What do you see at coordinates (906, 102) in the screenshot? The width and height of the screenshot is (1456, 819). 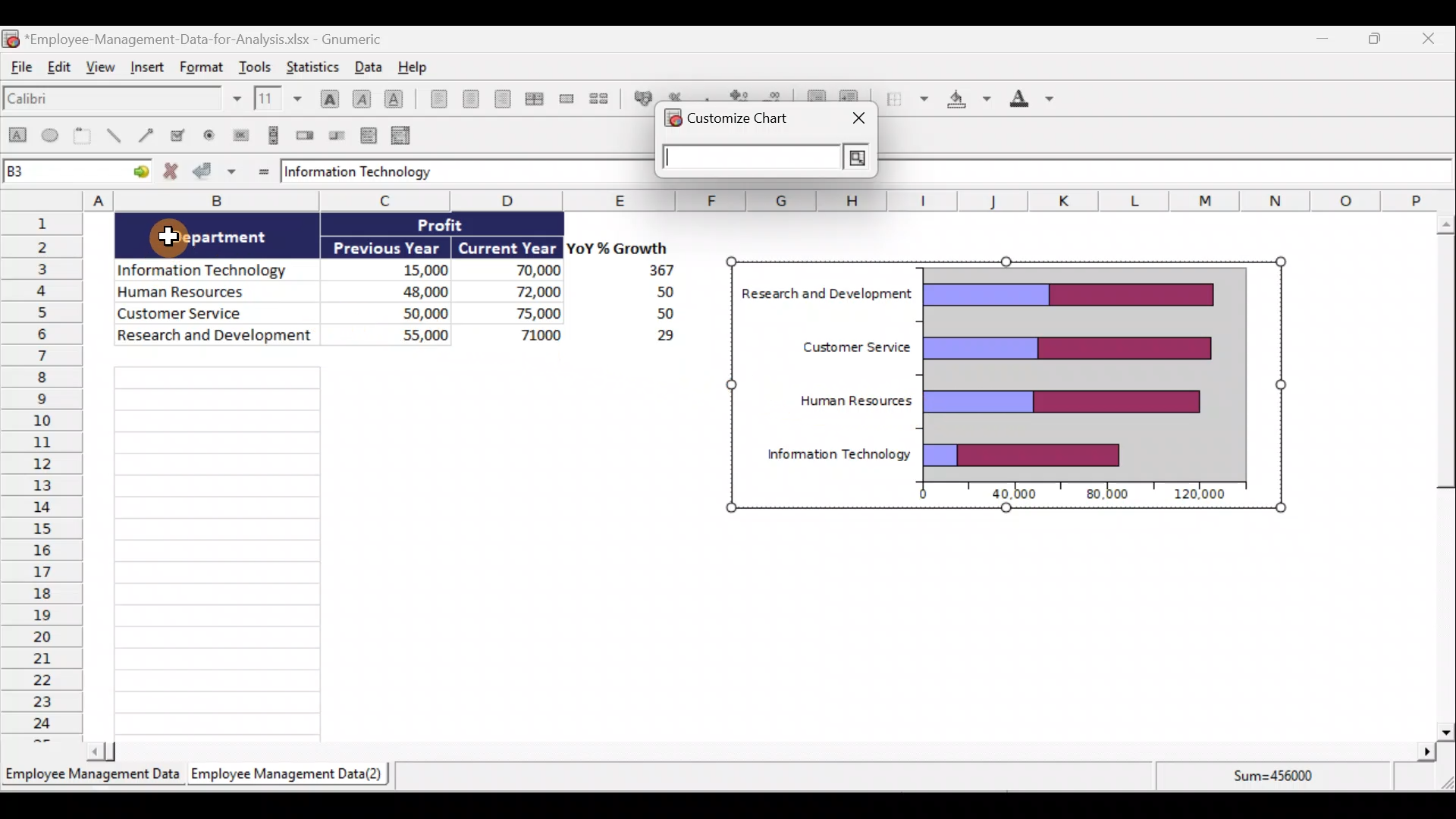 I see `Borders` at bounding box center [906, 102].